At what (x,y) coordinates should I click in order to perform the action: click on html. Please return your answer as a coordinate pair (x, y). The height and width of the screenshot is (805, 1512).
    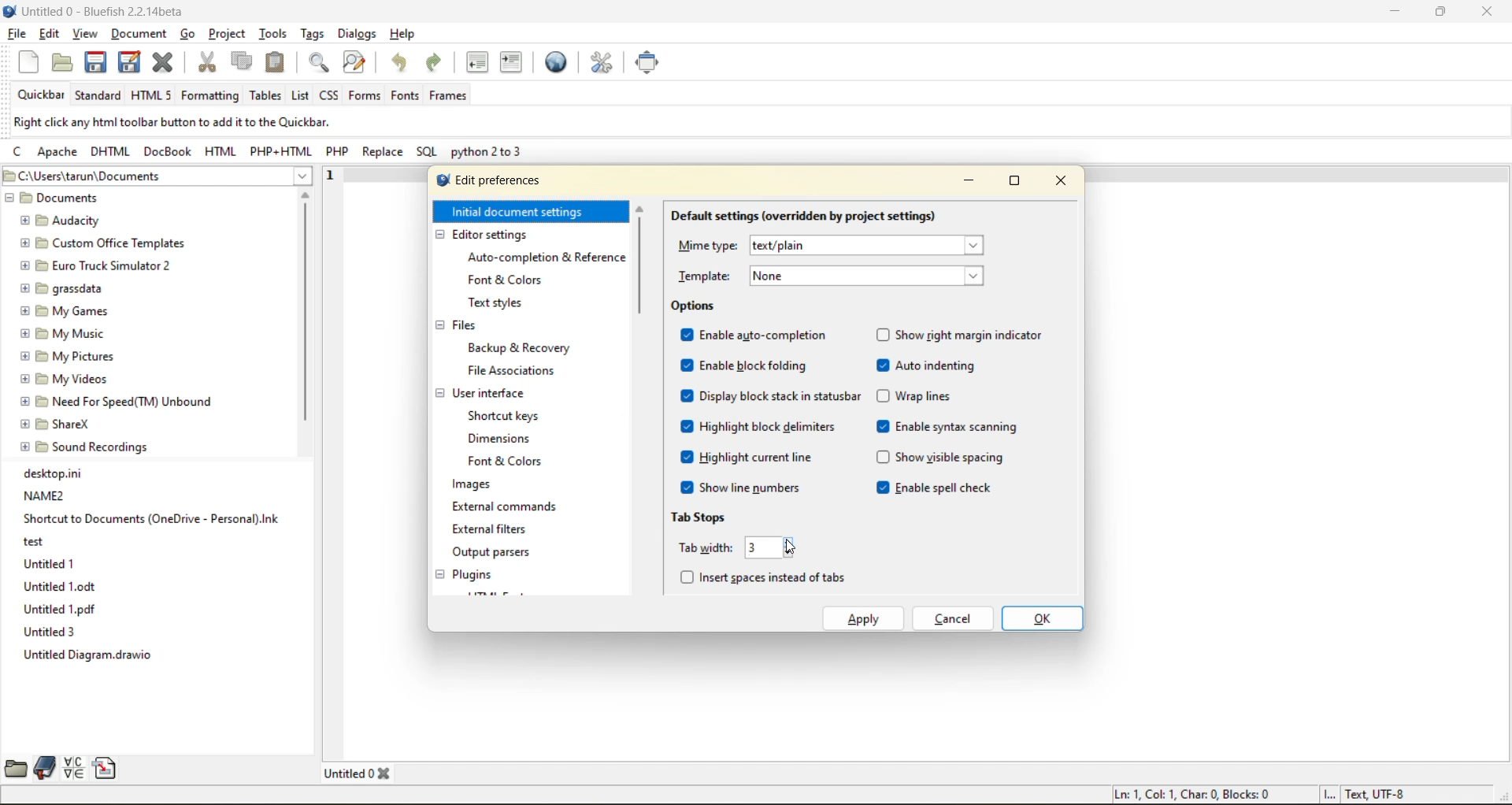
    Looking at the image, I should click on (220, 150).